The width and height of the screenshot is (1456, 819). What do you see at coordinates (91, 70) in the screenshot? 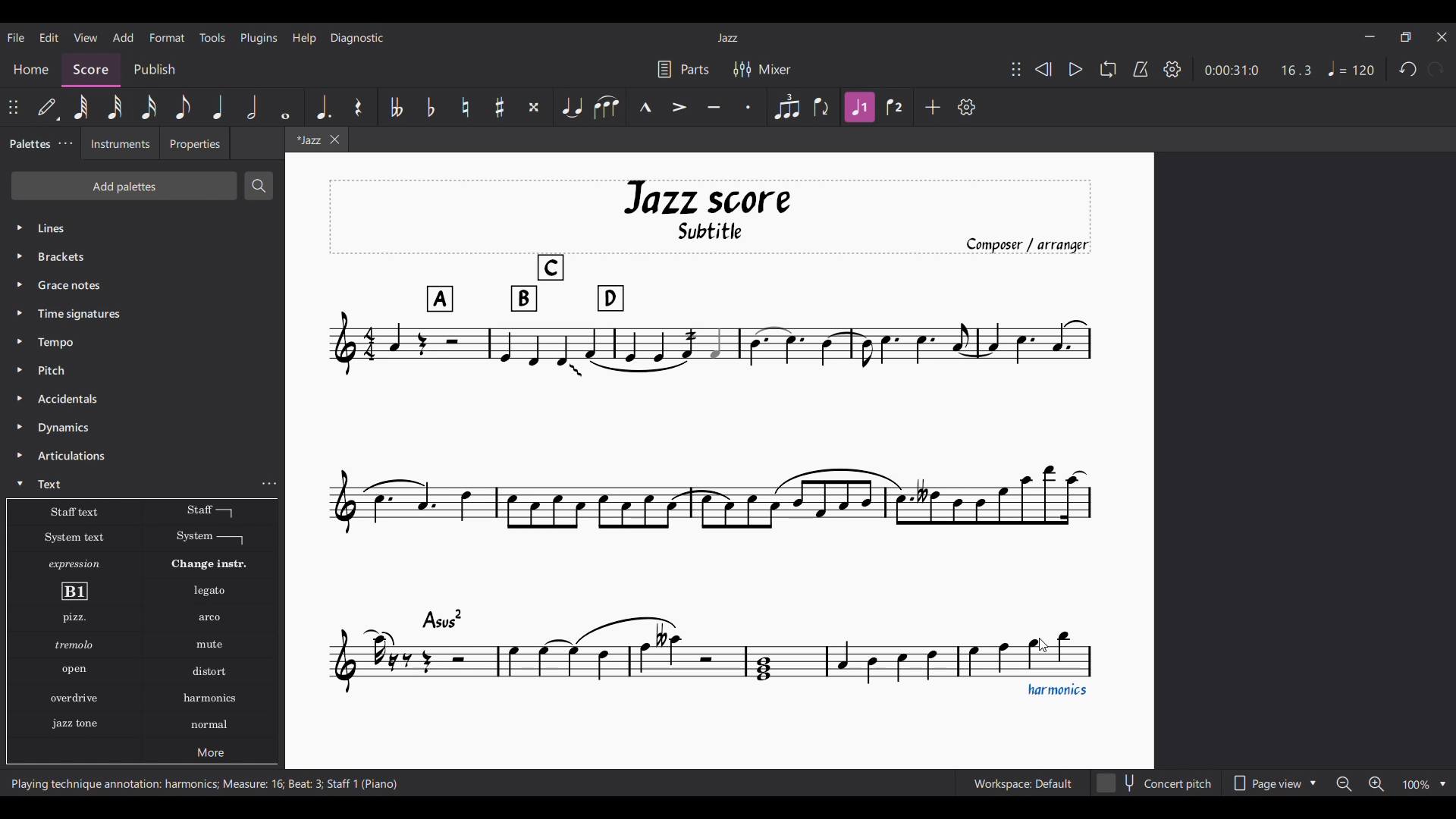
I see `Score, current section highlighted` at bounding box center [91, 70].